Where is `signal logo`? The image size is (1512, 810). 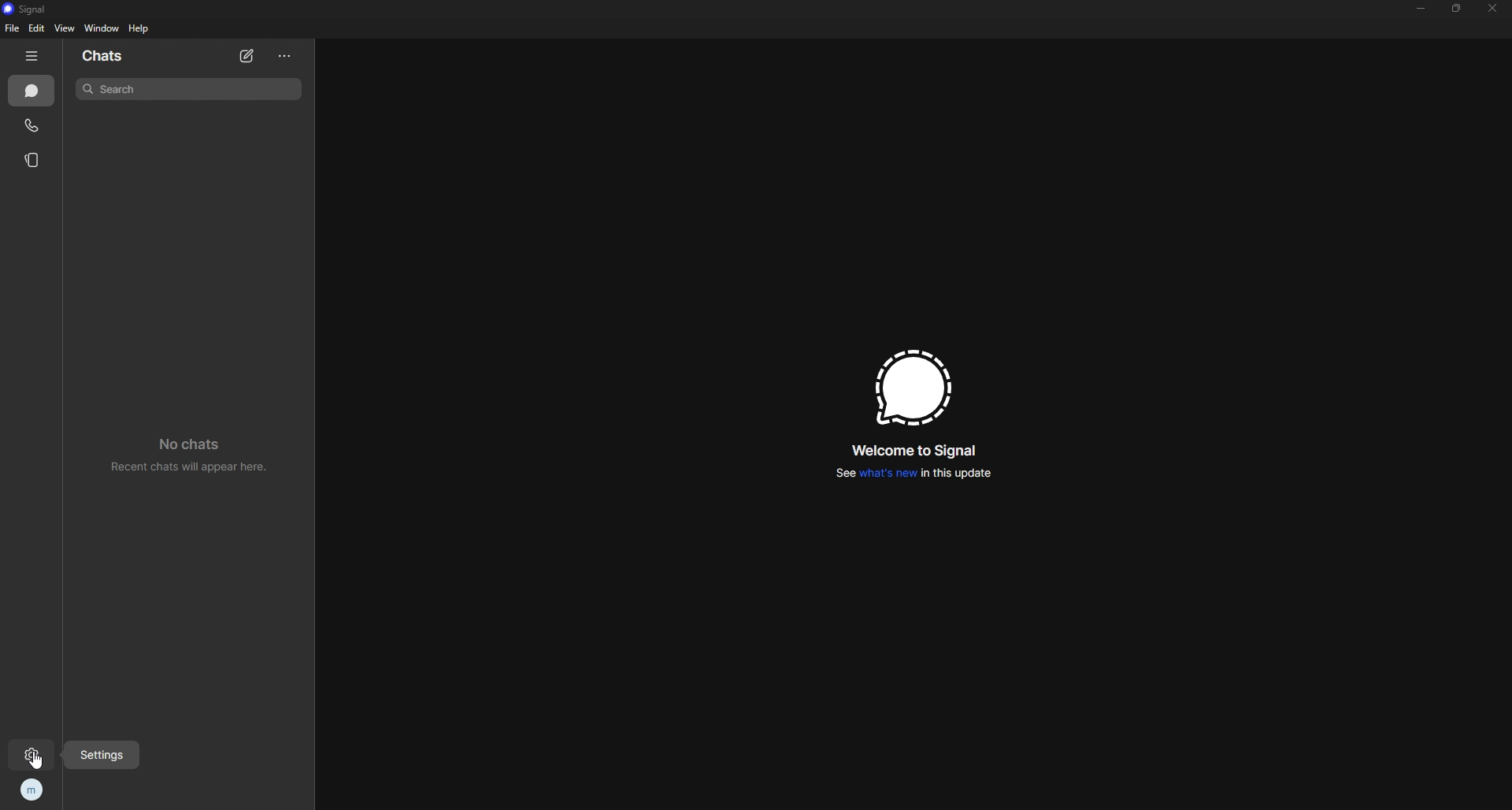 signal logo is located at coordinates (910, 386).